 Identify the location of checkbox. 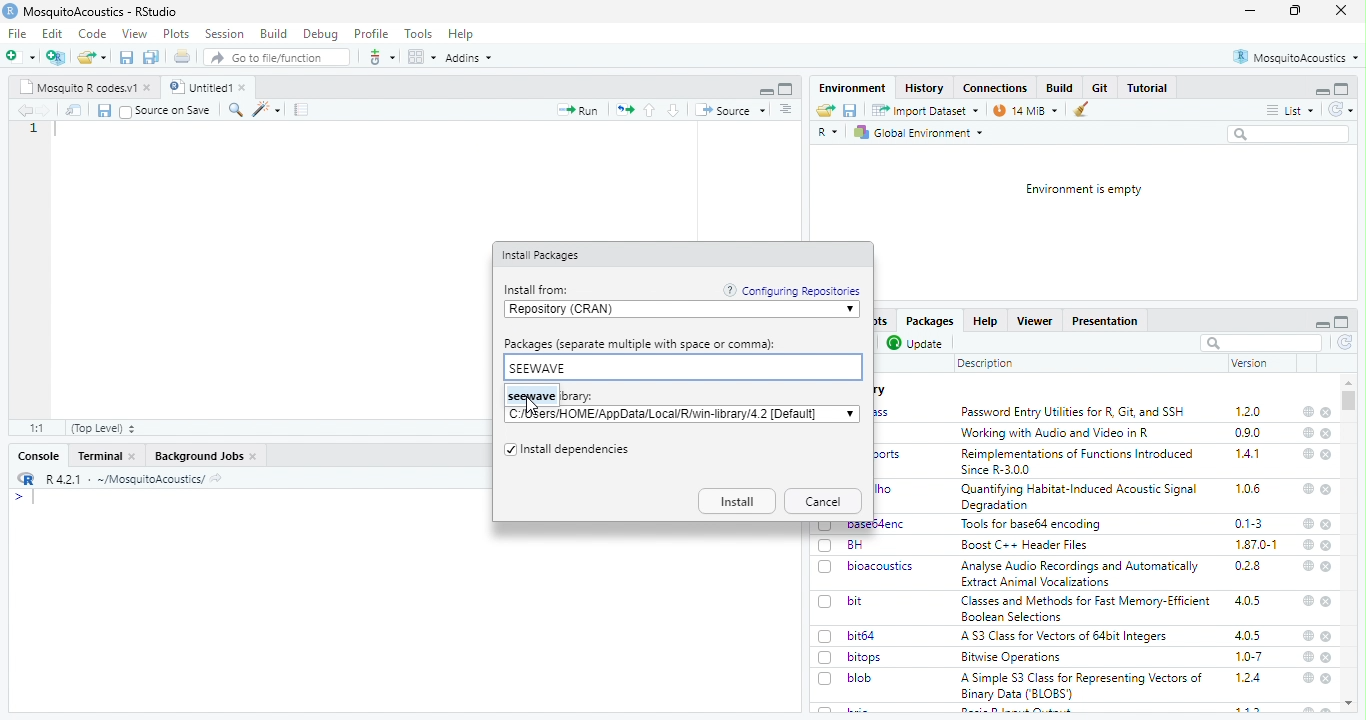
(826, 603).